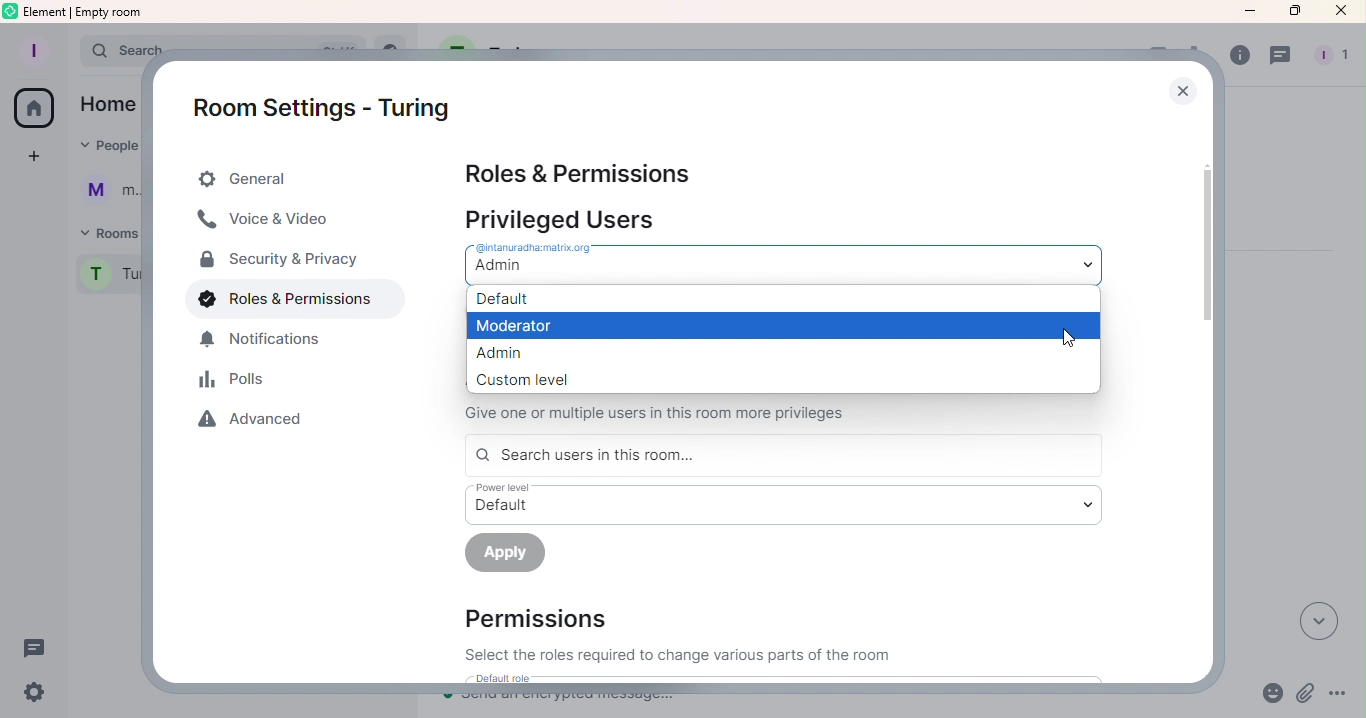 The image size is (1366, 718). I want to click on people, so click(1332, 56).